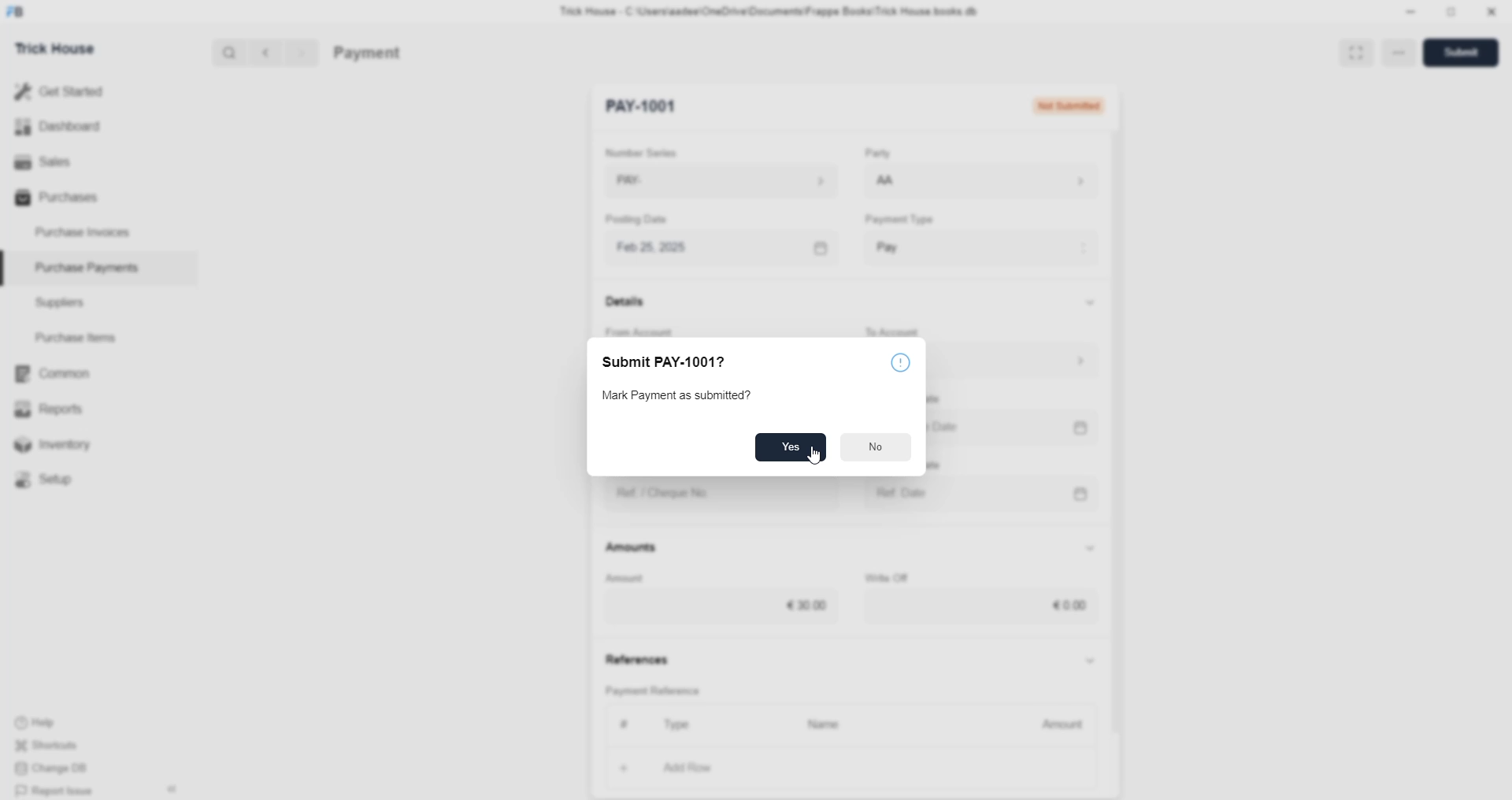 This screenshot has height=800, width=1512. What do you see at coordinates (678, 494) in the screenshot?
I see `Ref. / Cheque No.` at bounding box center [678, 494].